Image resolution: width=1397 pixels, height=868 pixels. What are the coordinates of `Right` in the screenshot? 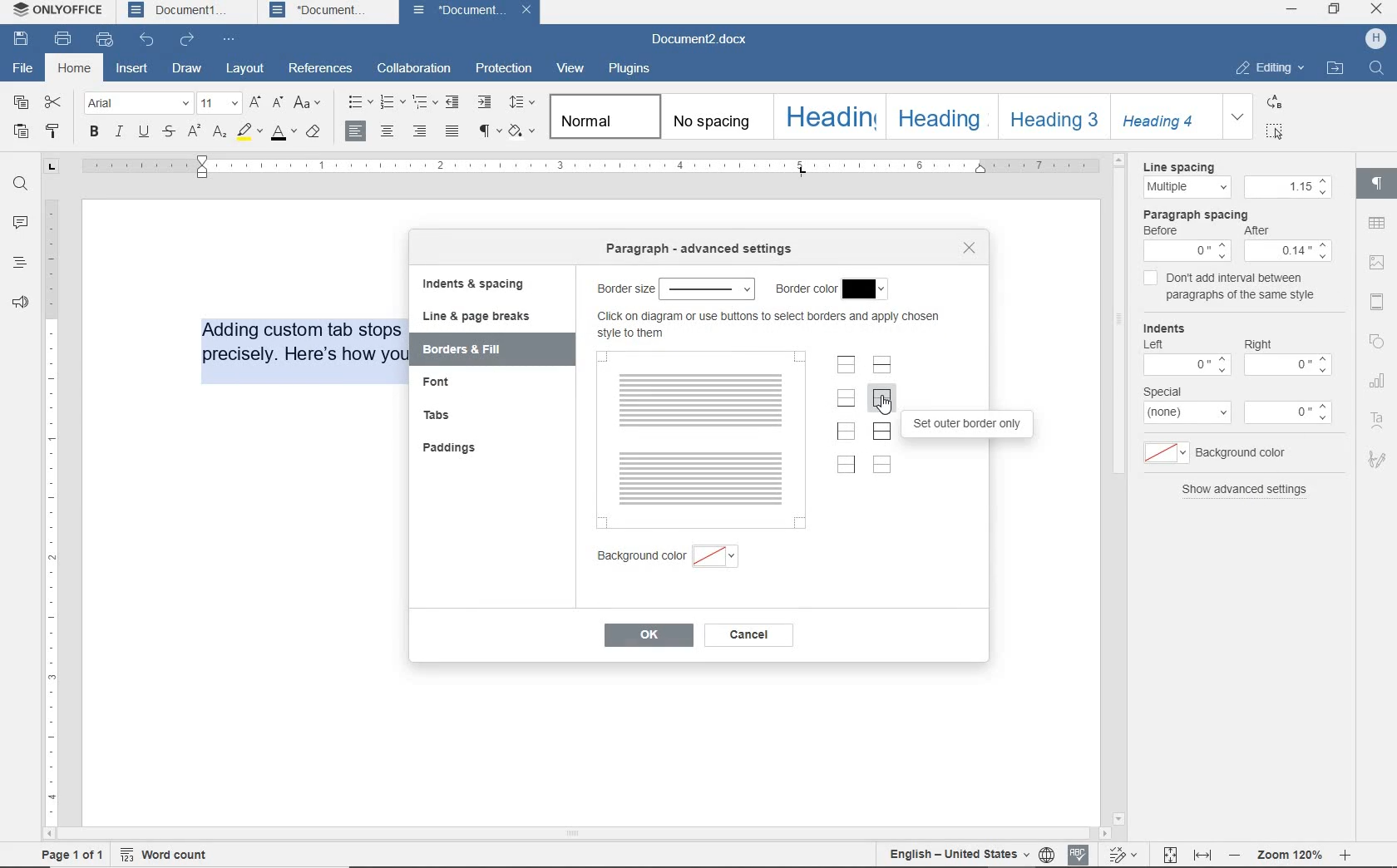 It's located at (1263, 343).